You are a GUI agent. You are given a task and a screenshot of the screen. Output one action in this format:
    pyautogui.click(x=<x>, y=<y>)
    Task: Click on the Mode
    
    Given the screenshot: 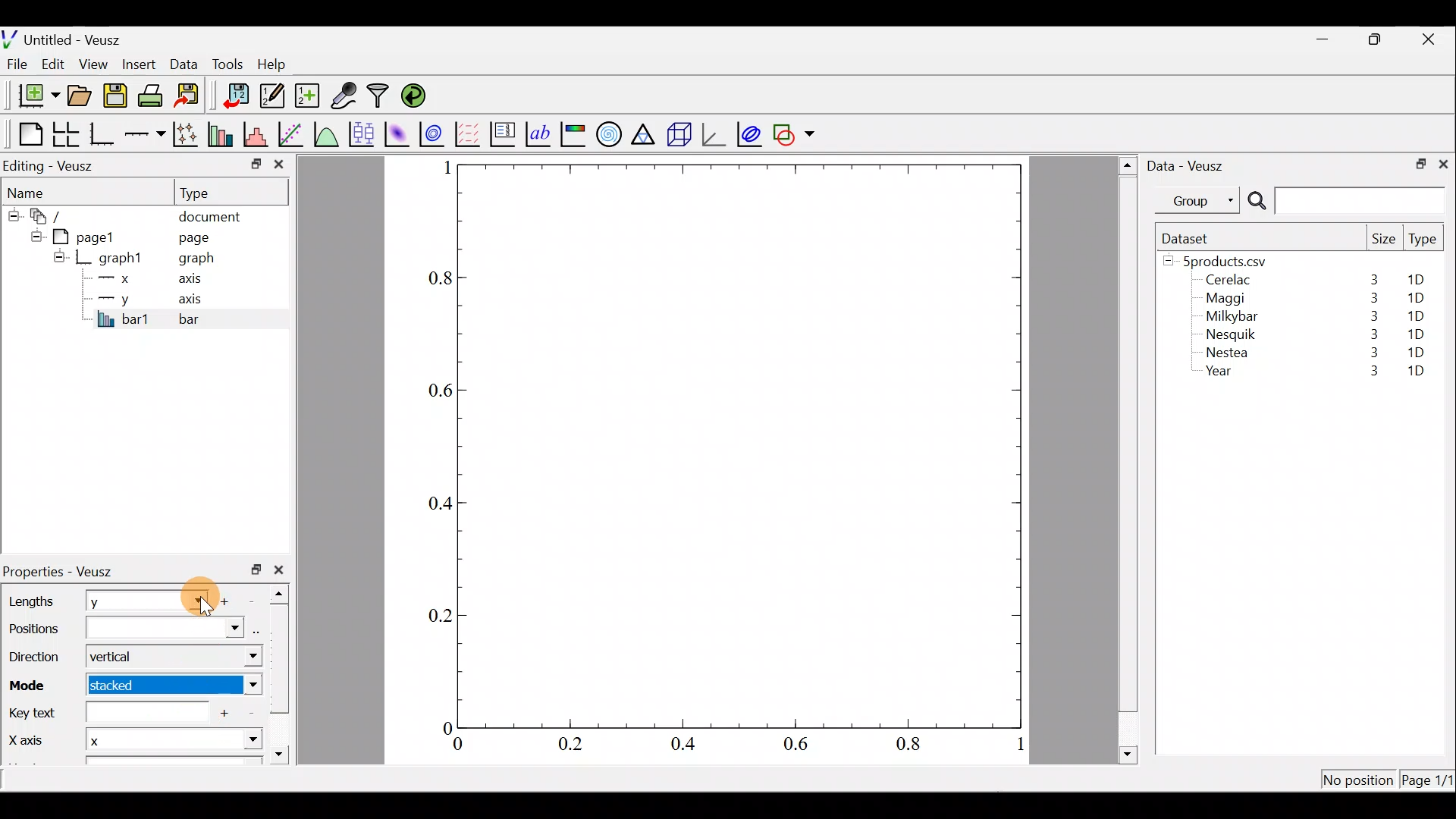 What is the action you would take?
    pyautogui.click(x=32, y=682)
    